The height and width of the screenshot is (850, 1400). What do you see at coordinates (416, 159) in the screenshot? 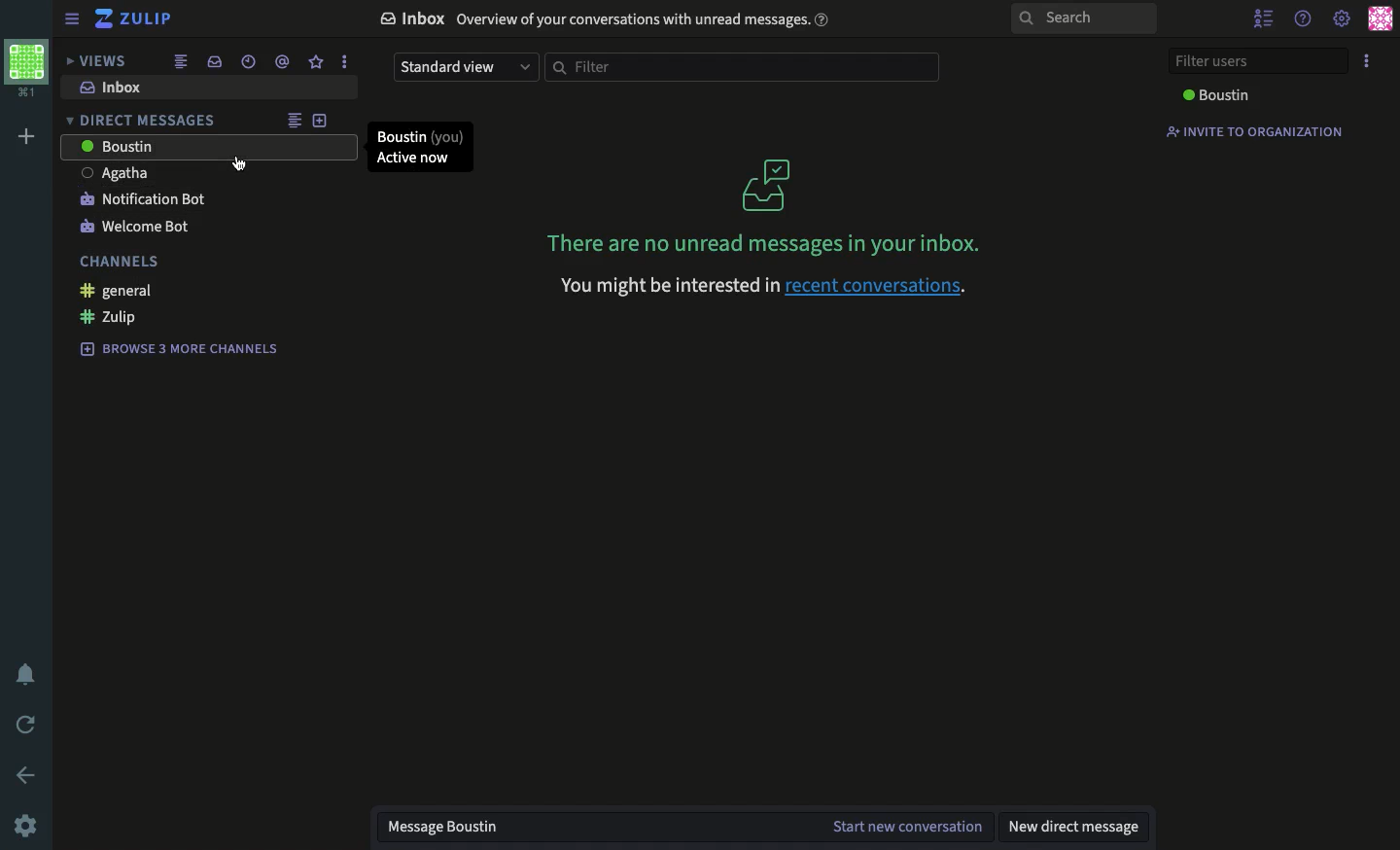
I see `Active now` at bounding box center [416, 159].